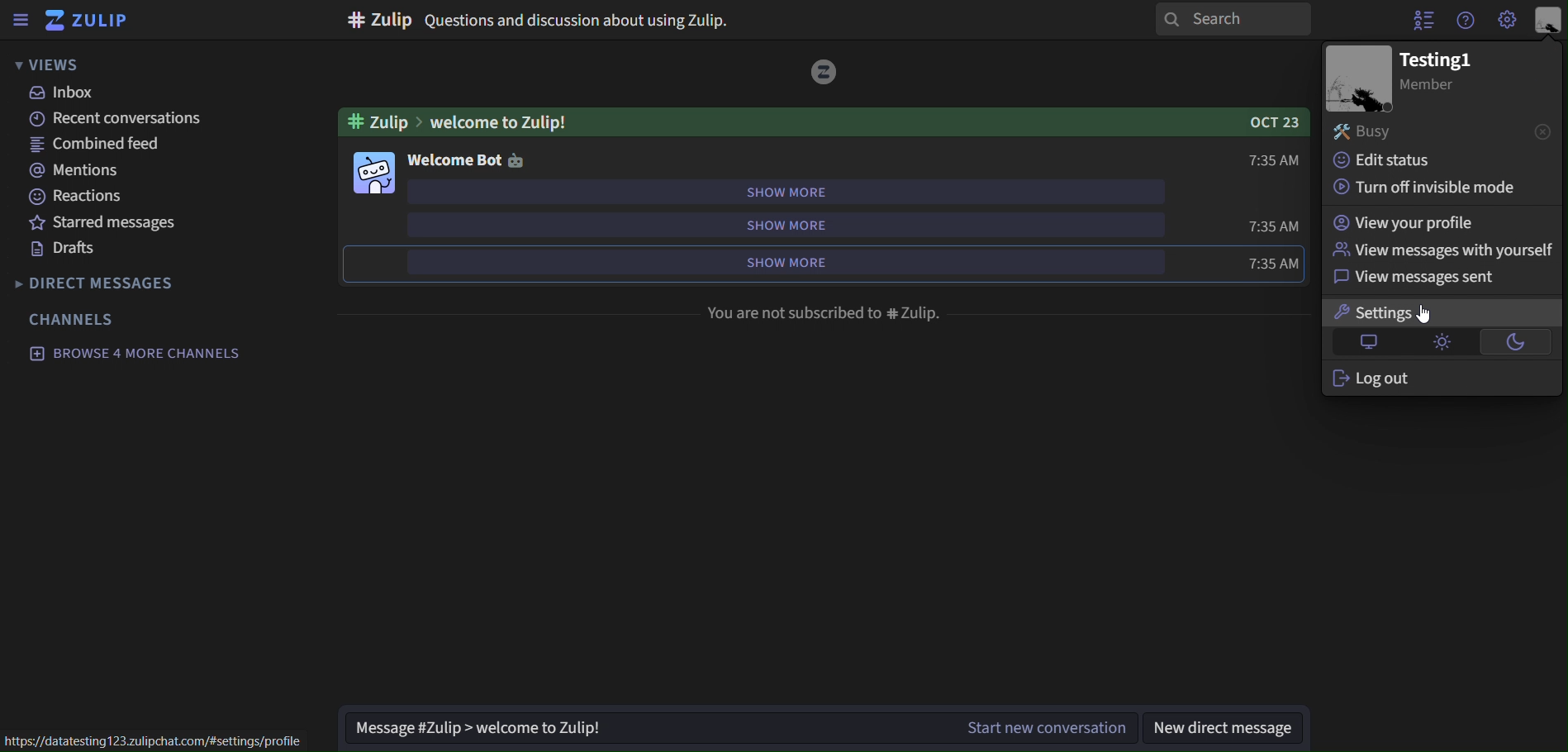 This screenshot has height=752, width=1568. Describe the element at coordinates (1227, 728) in the screenshot. I see `new direct message` at that location.